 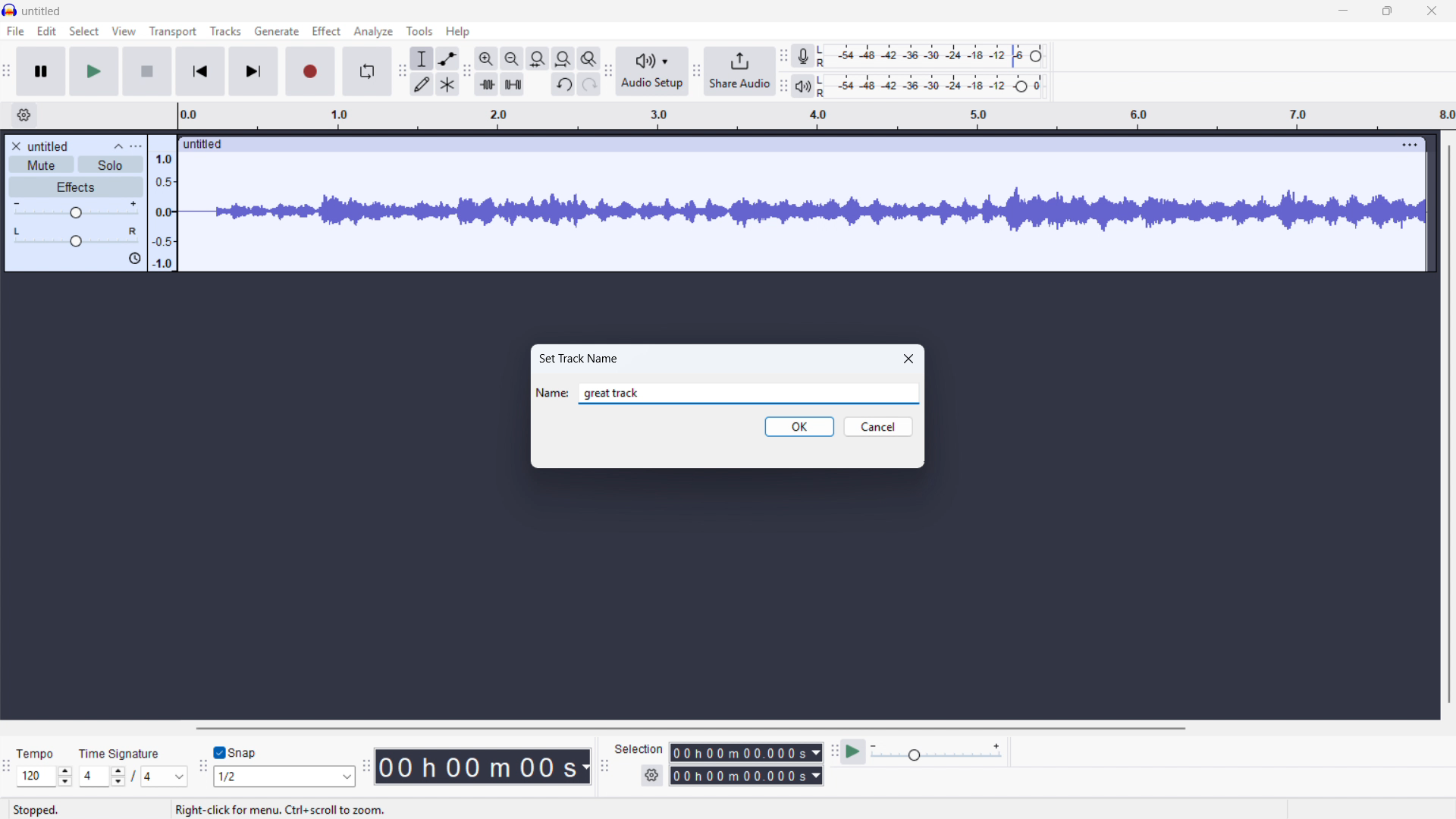 I want to click on Trim audio outside selection , so click(x=487, y=83).